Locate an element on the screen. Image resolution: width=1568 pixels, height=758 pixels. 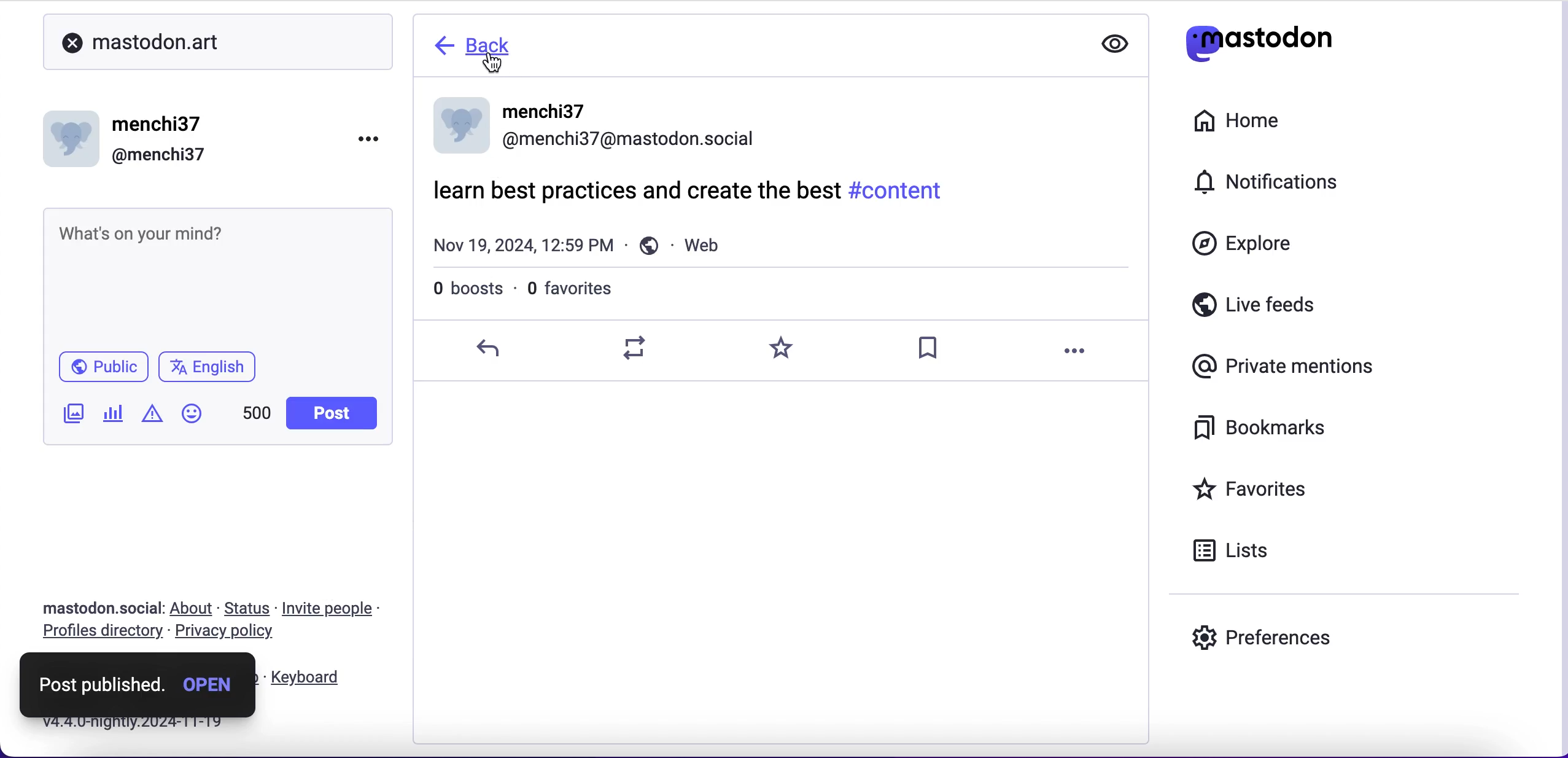
mastodon logo is located at coordinates (1256, 39).